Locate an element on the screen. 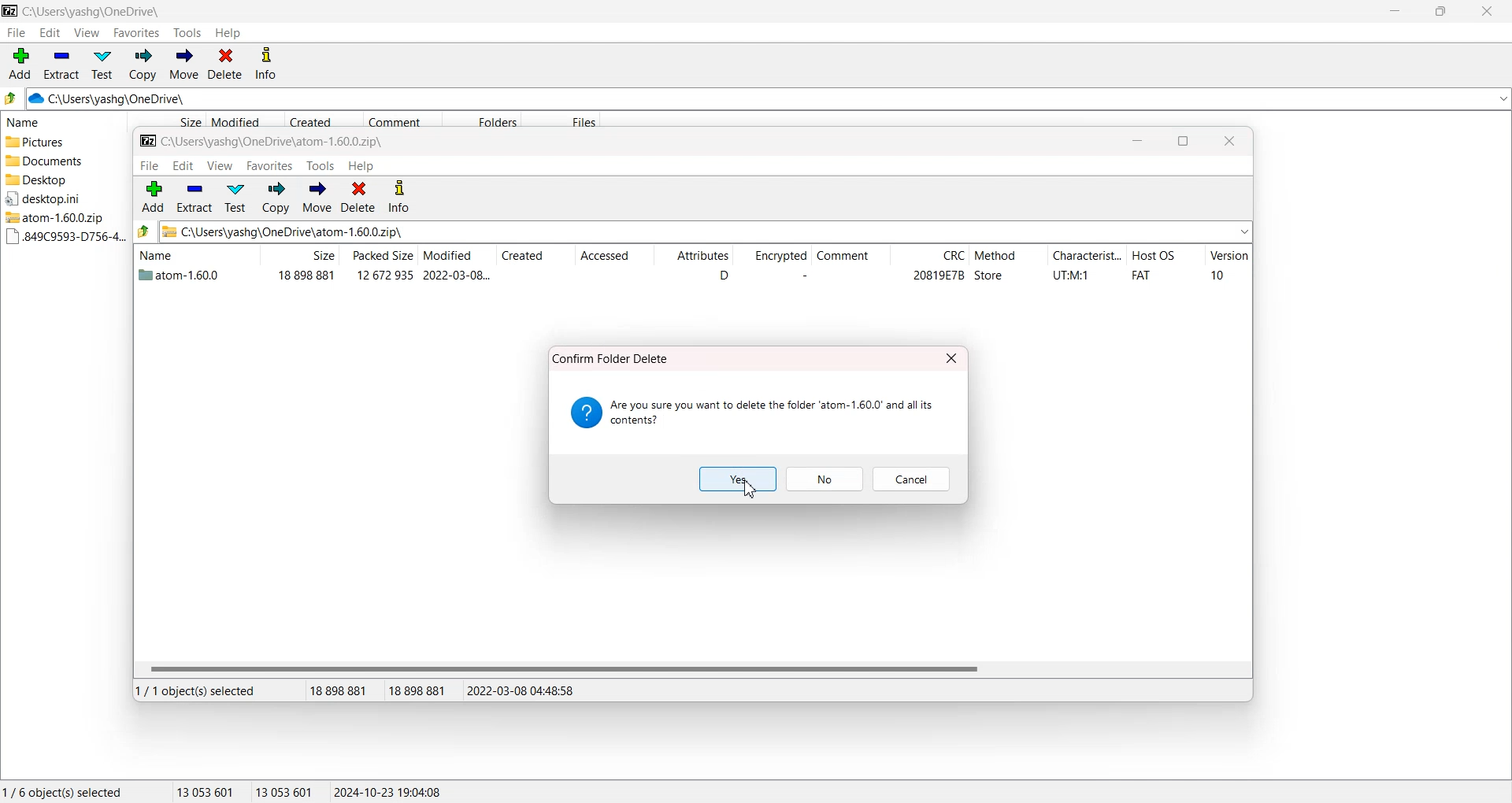 This screenshot has height=803, width=1512. 13 053 601 is located at coordinates (206, 791).